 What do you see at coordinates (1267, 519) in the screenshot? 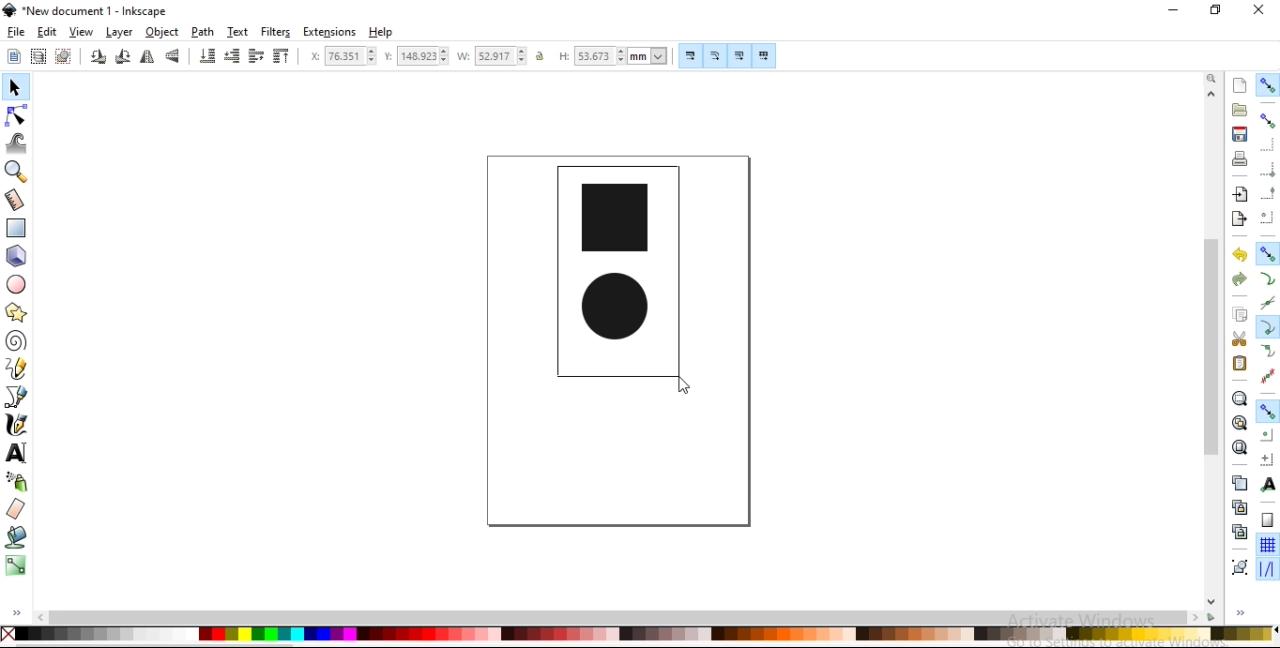
I see `snap to page borders` at bounding box center [1267, 519].